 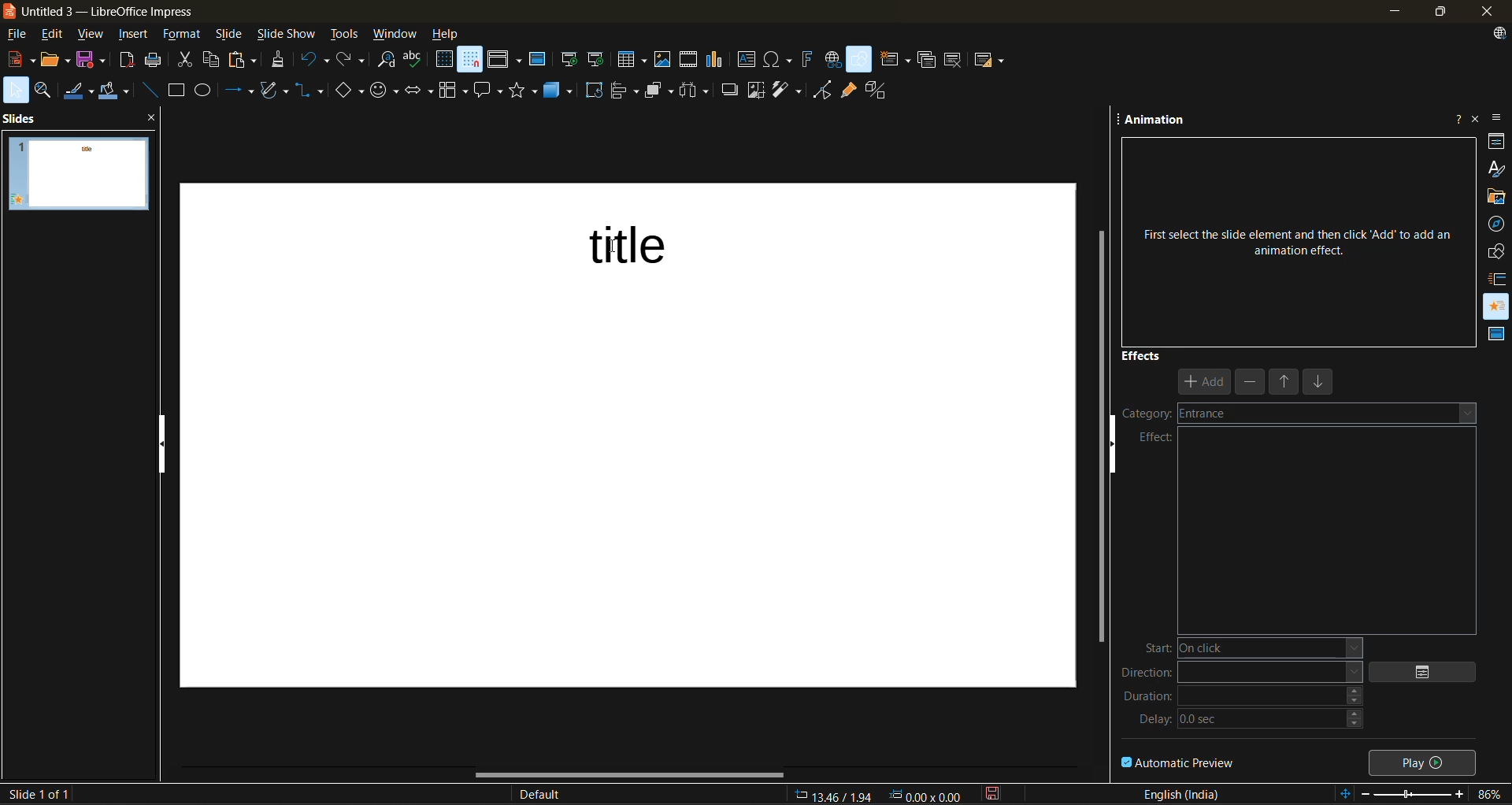 What do you see at coordinates (1497, 197) in the screenshot?
I see `gallery` at bounding box center [1497, 197].